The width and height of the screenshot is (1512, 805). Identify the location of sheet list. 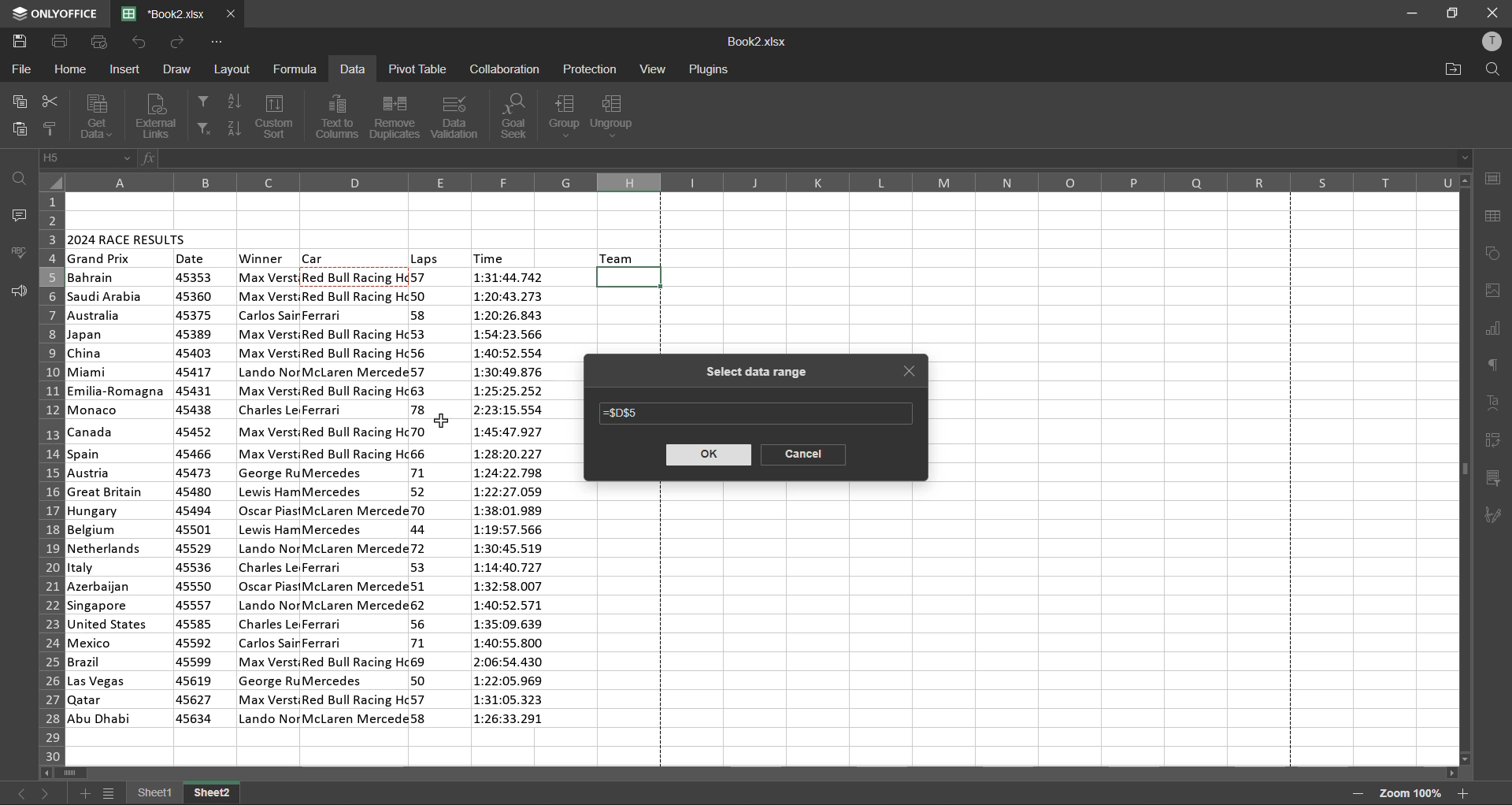
(112, 796).